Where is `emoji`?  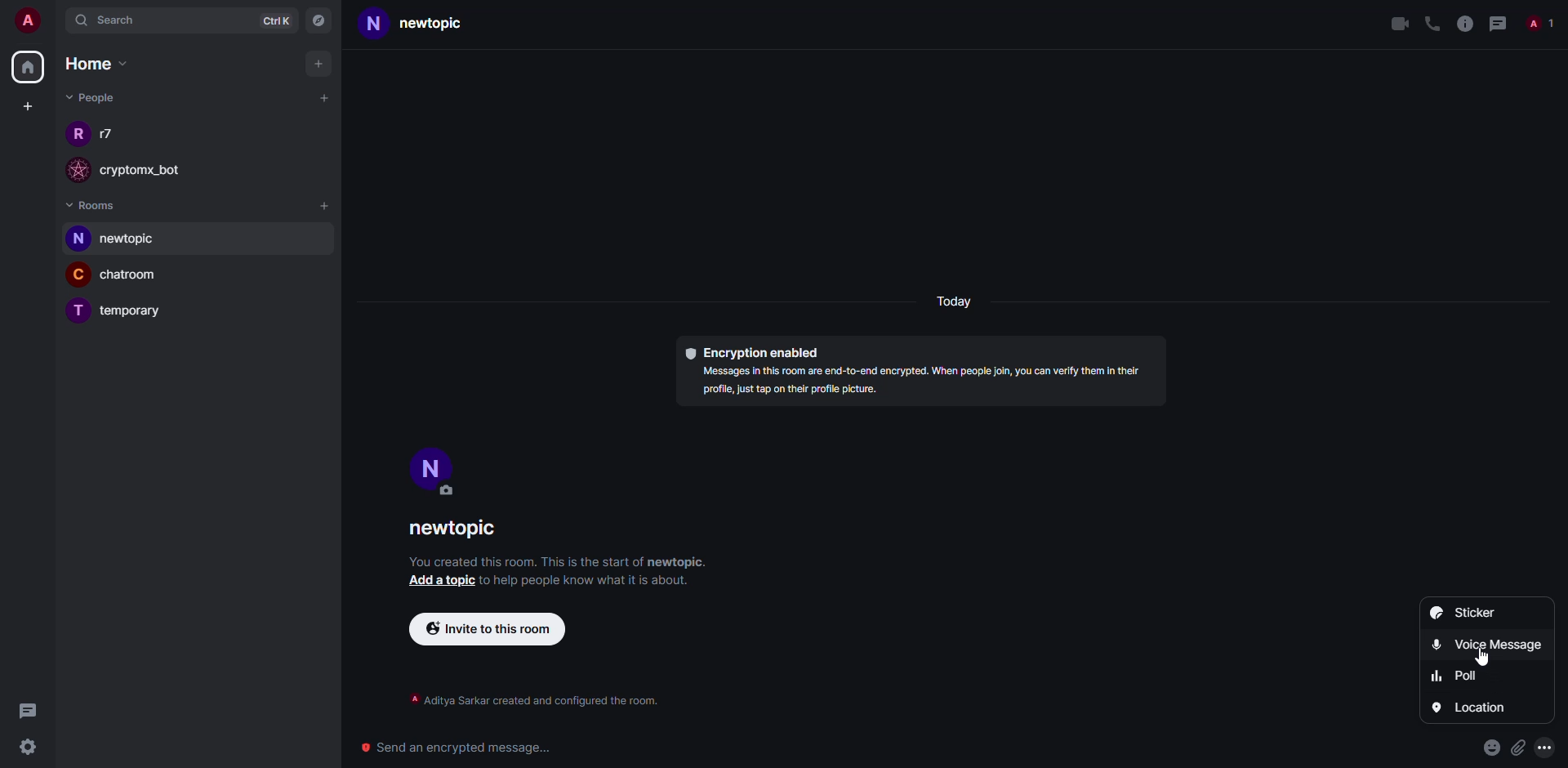
emoji is located at coordinates (1487, 749).